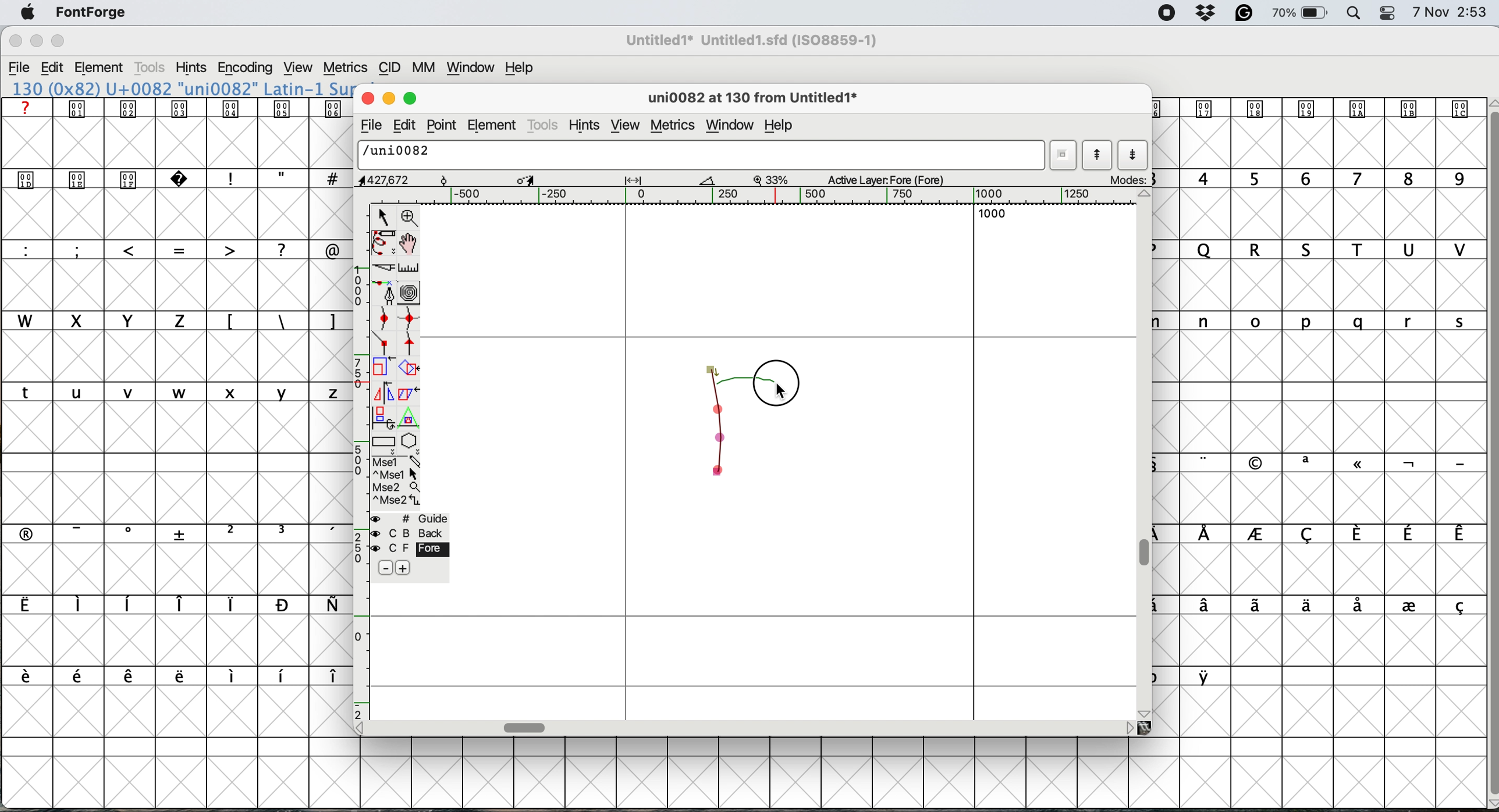 The width and height of the screenshot is (1499, 812). Describe the element at coordinates (409, 443) in the screenshot. I see `star or polygon` at that location.